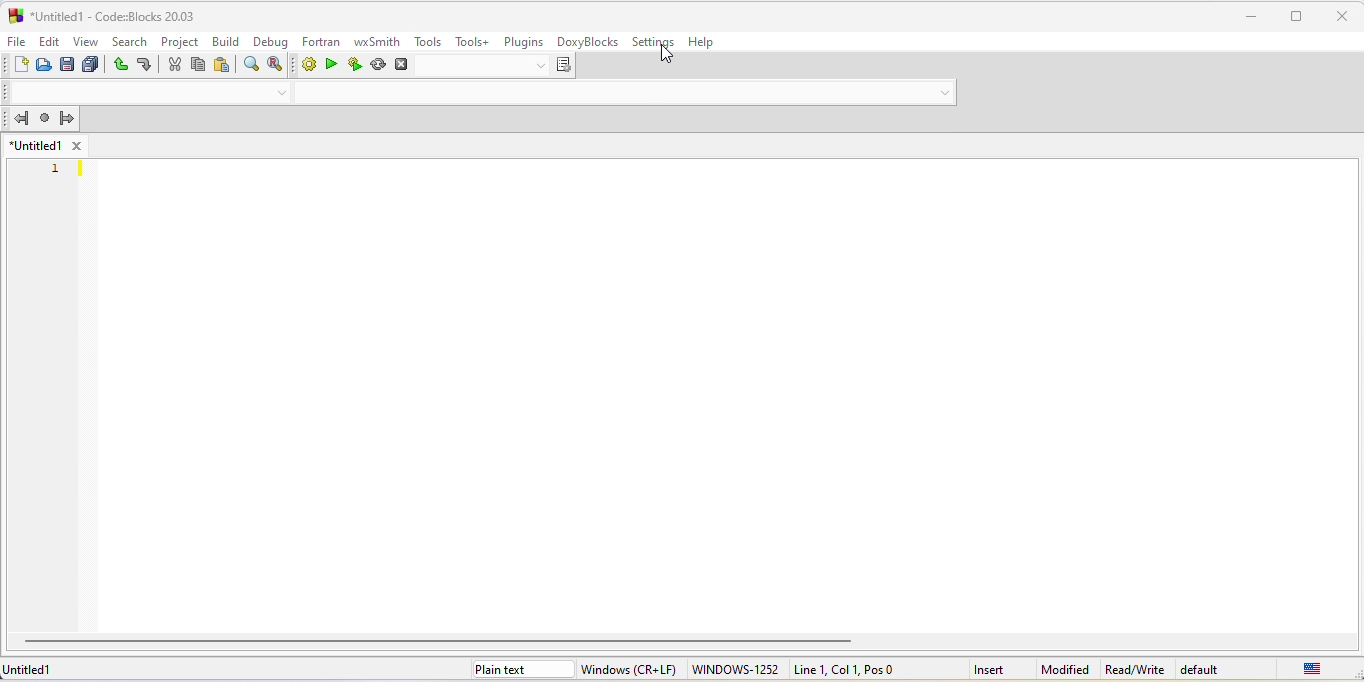 This screenshot has height=682, width=1364. I want to click on cursor, so click(665, 55).